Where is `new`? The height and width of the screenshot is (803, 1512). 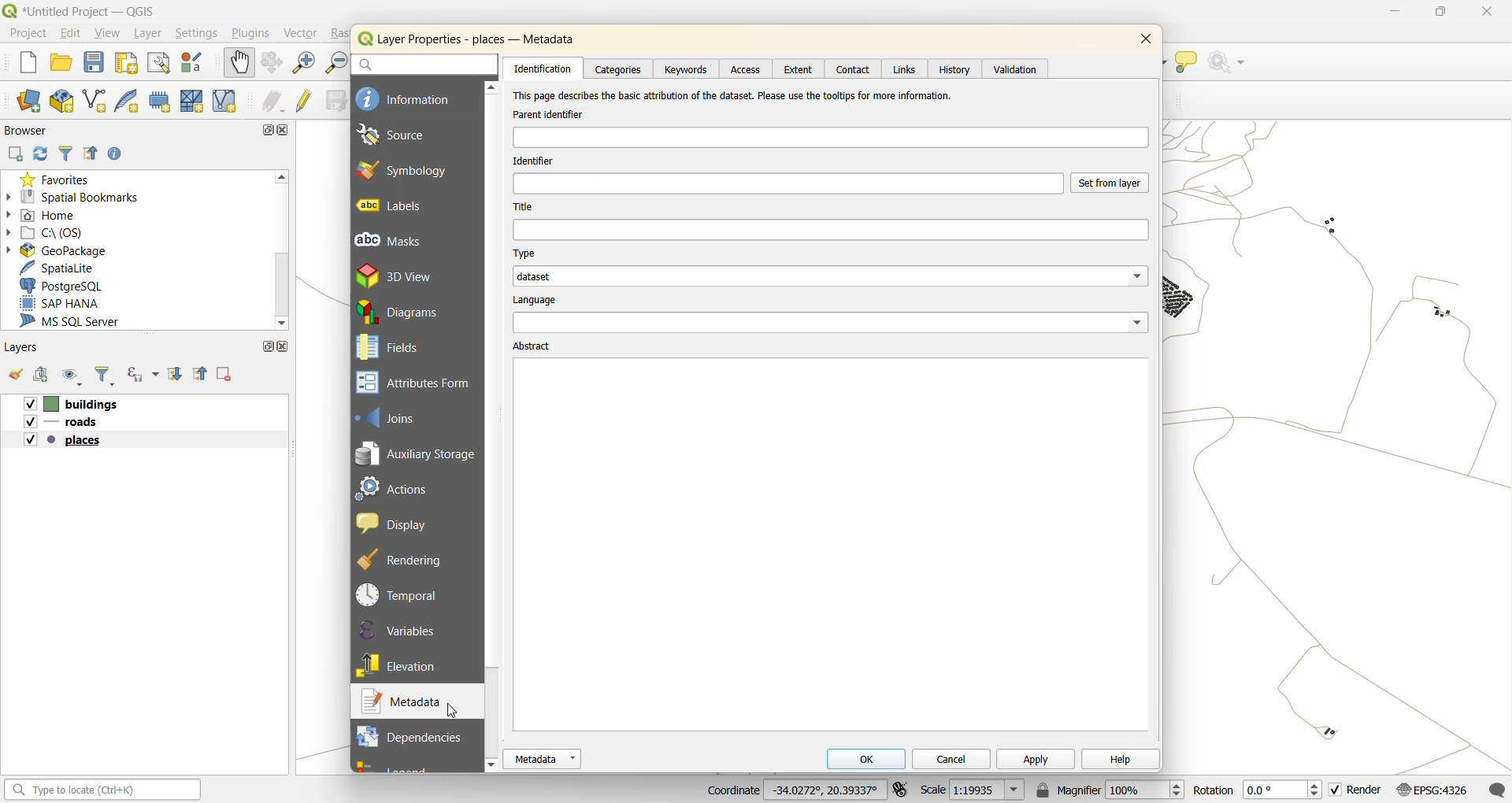 new is located at coordinates (29, 64).